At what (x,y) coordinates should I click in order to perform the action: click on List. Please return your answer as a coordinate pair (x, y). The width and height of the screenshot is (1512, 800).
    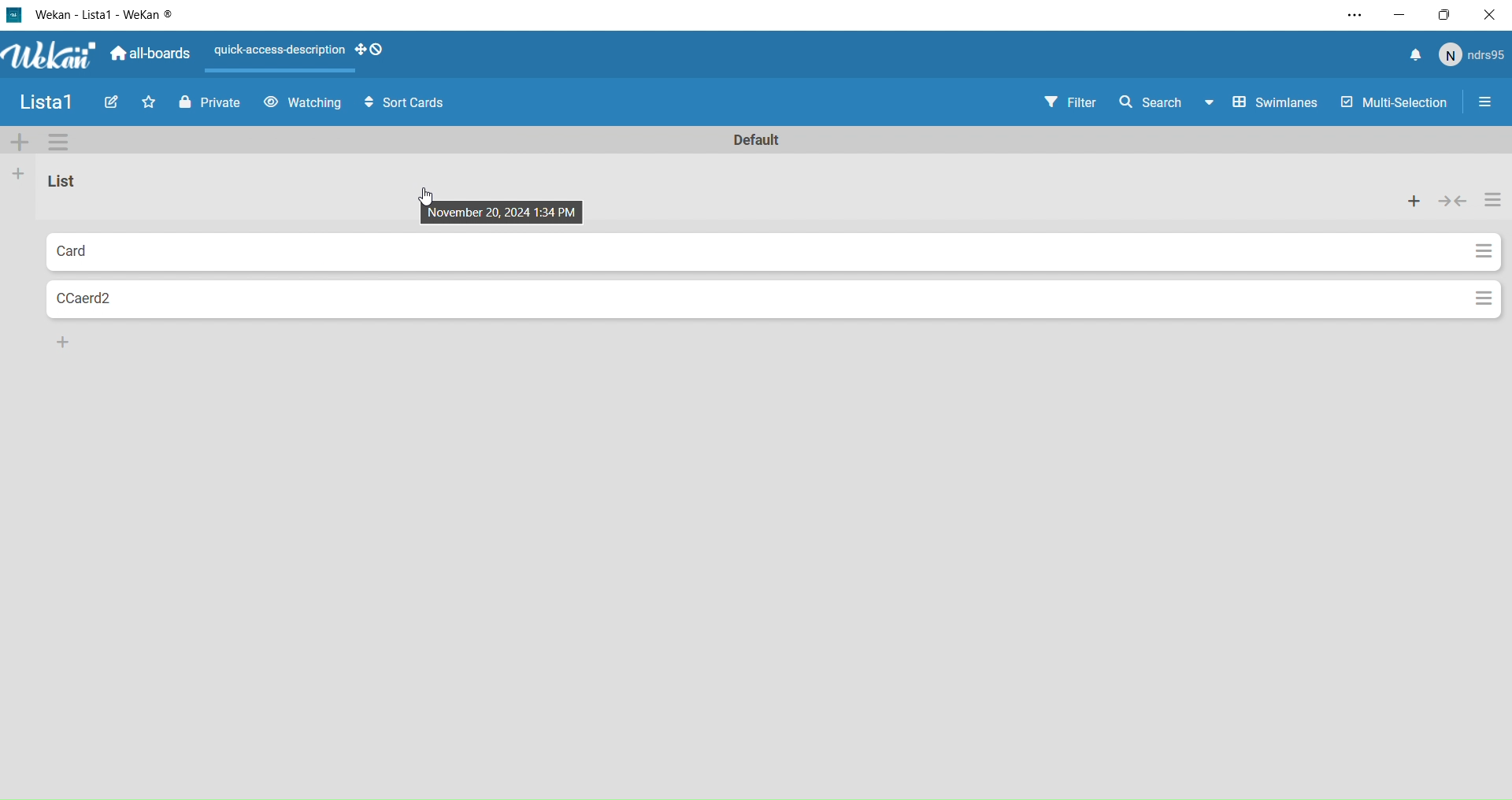
    Looking at the image, I should click on (83, 188).